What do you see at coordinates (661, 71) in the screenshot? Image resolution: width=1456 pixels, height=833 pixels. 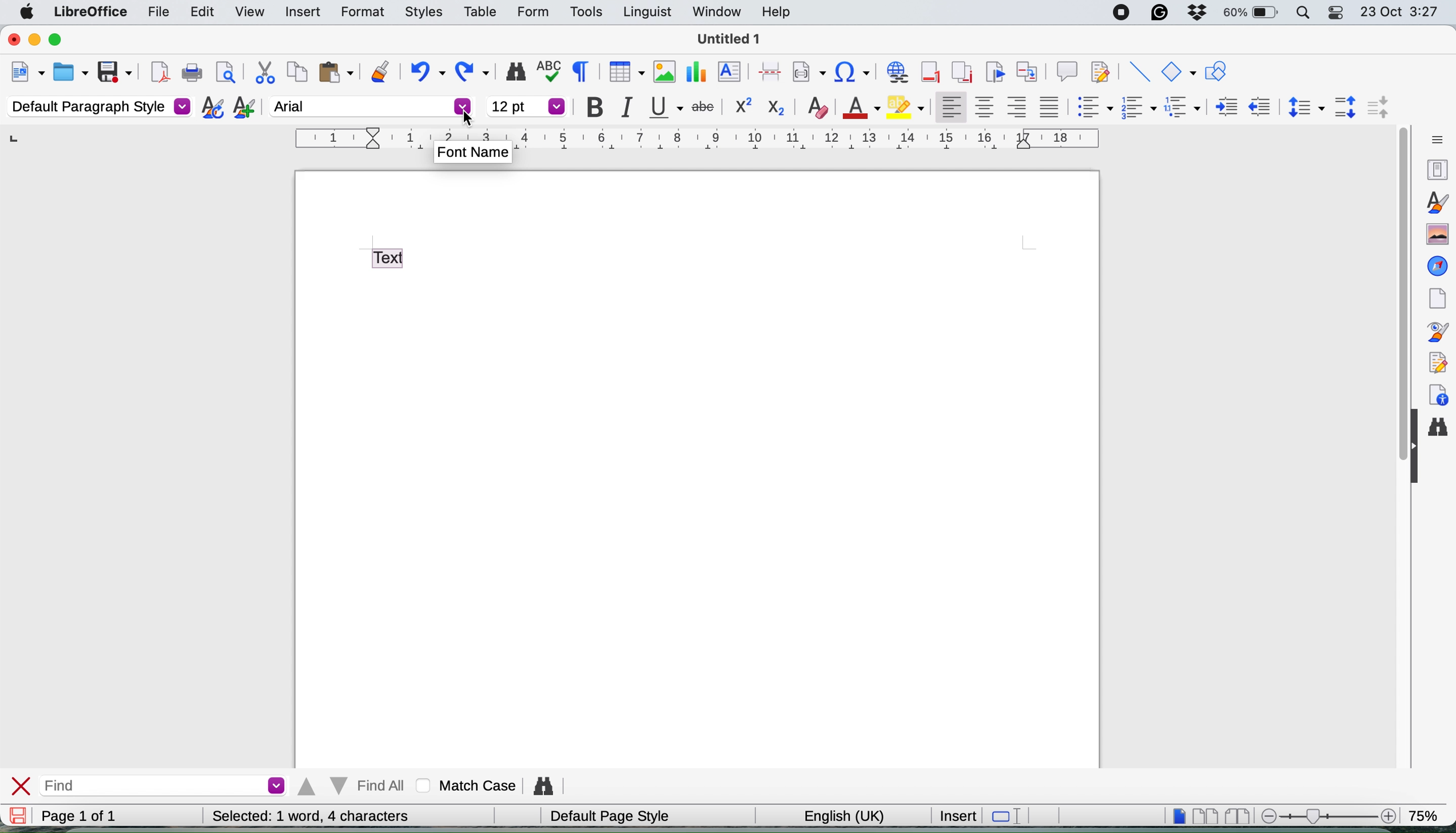 I see `insert image` at bounding box center [661, 71].